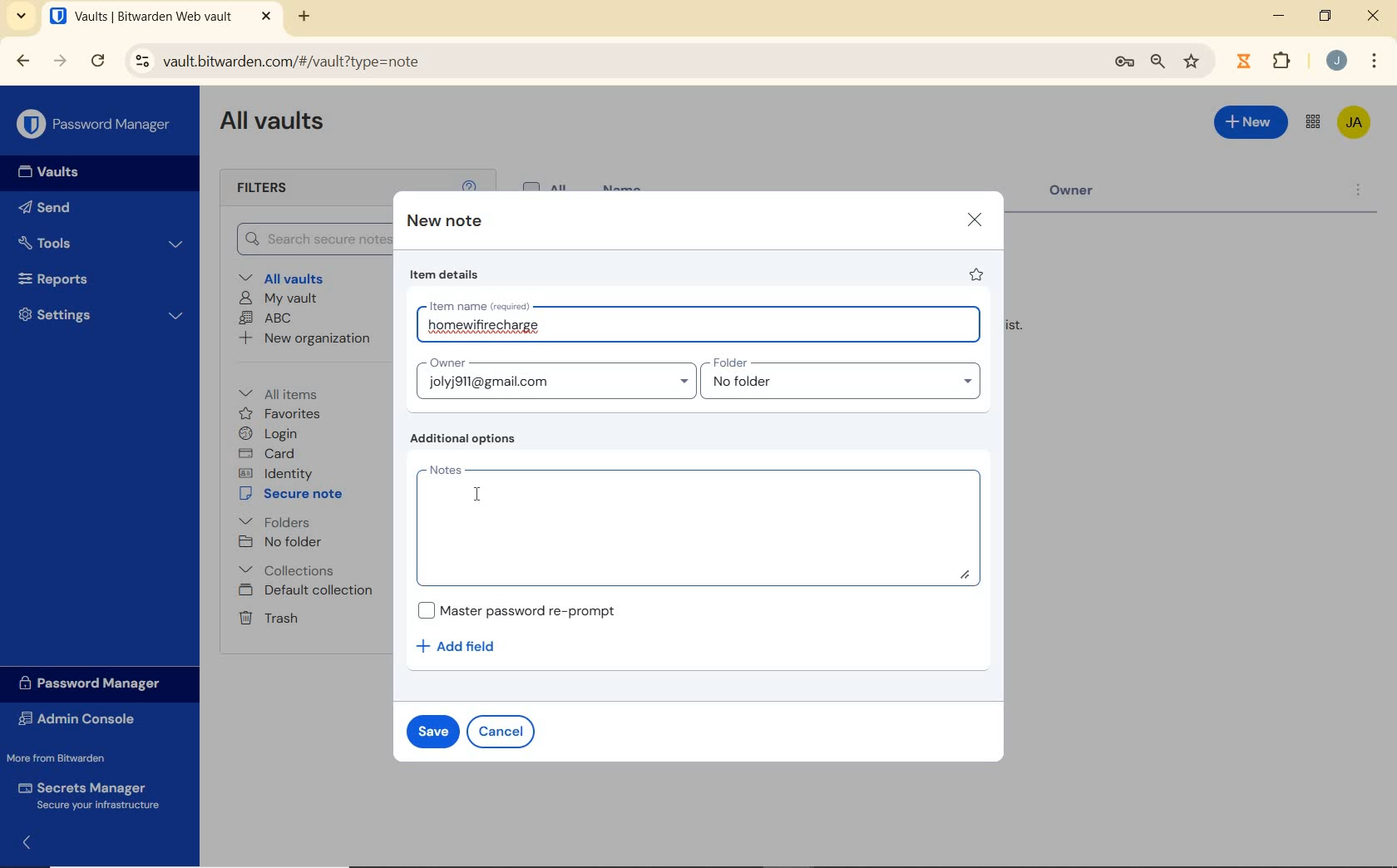  What do you see at coordinates (1242, 62) in the screenshot?
I see `extensions` at bounding box center [1242, 62].